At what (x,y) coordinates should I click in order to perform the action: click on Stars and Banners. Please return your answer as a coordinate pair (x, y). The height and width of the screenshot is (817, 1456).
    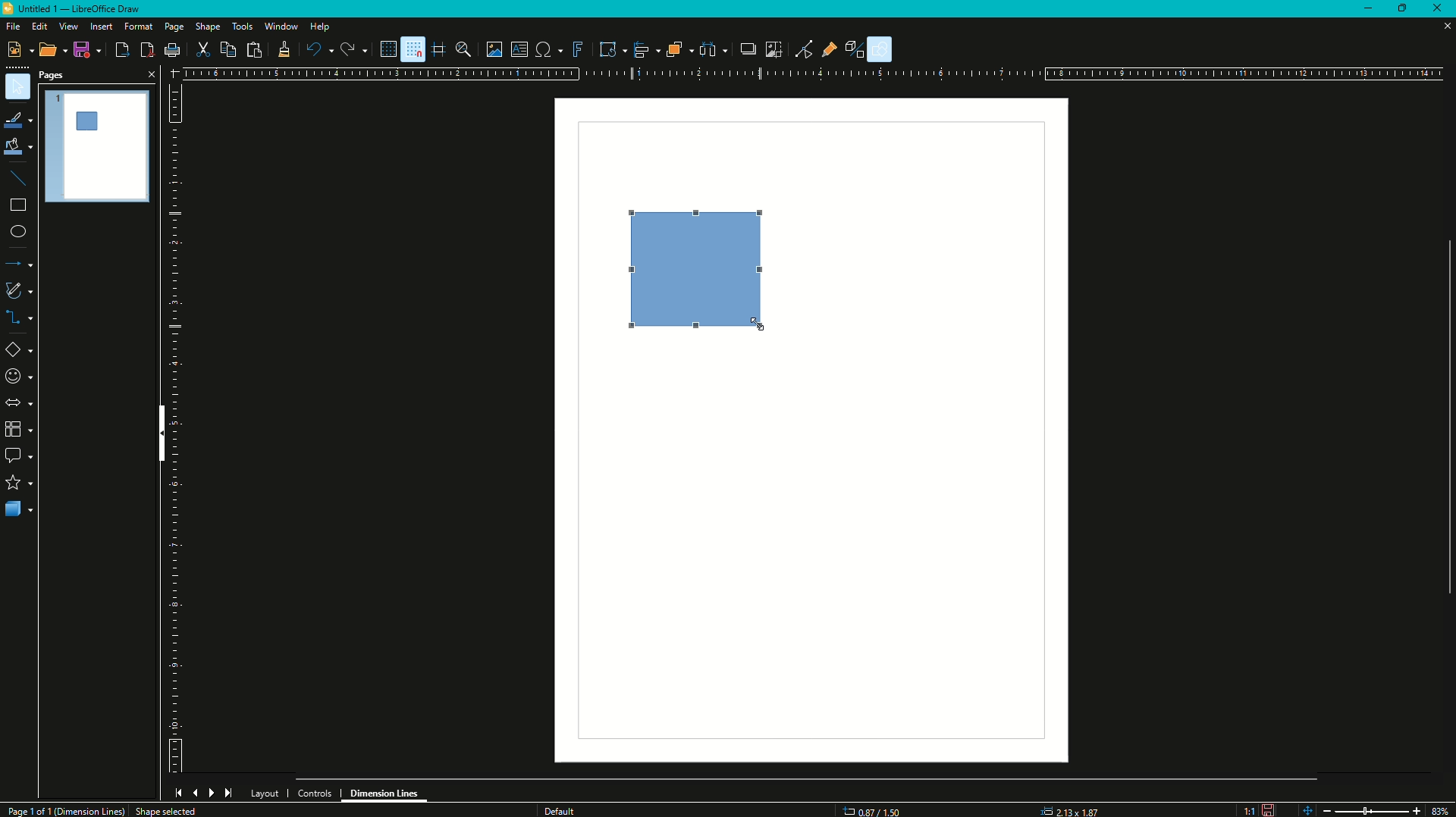
    Looking at the image, I should click on (19, 484).